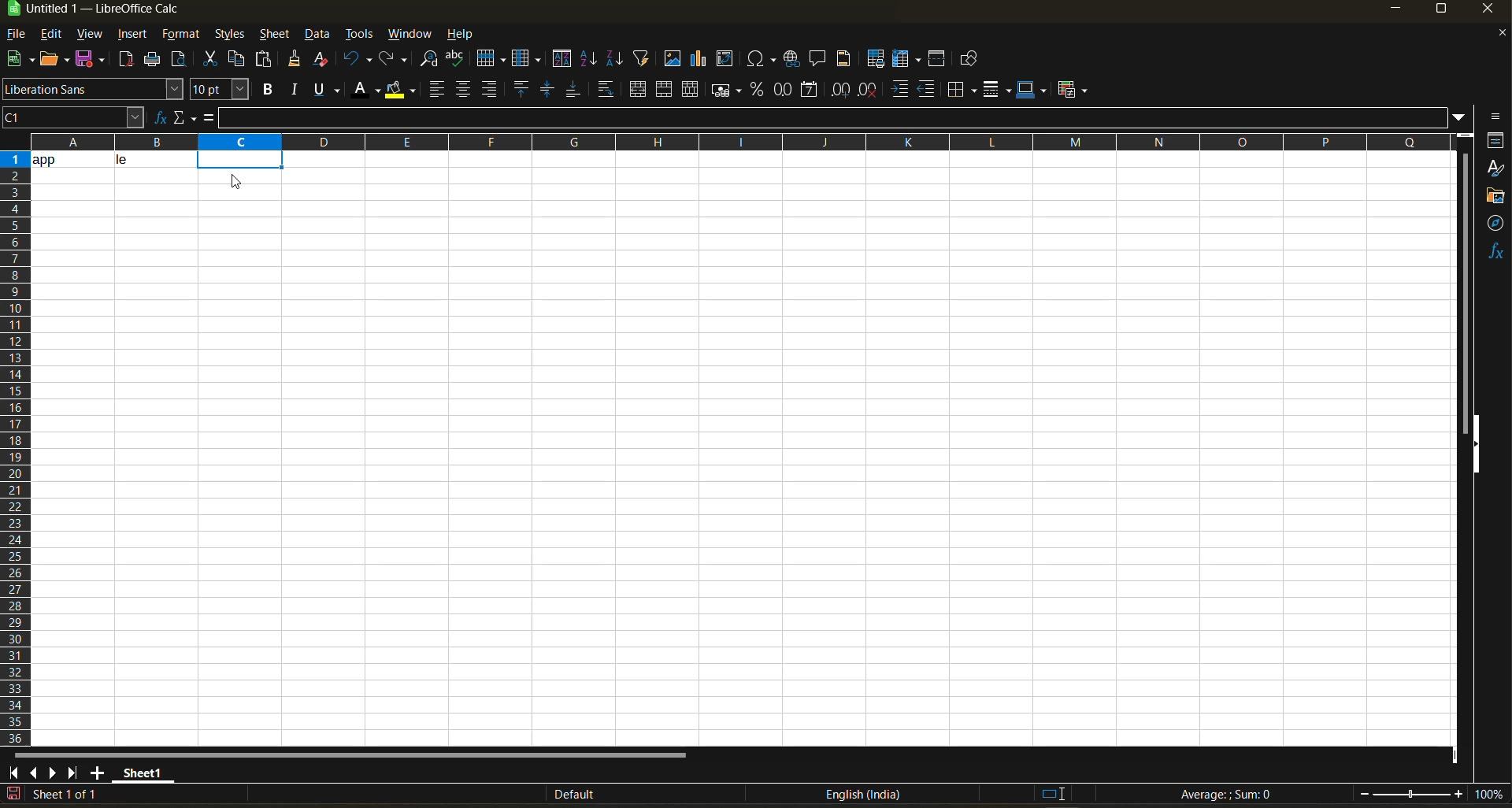 This screenshot has width=1512, height=808. Describe the element at coordinates (241, 161) in the screenshot. I see `selected cell` at that location.